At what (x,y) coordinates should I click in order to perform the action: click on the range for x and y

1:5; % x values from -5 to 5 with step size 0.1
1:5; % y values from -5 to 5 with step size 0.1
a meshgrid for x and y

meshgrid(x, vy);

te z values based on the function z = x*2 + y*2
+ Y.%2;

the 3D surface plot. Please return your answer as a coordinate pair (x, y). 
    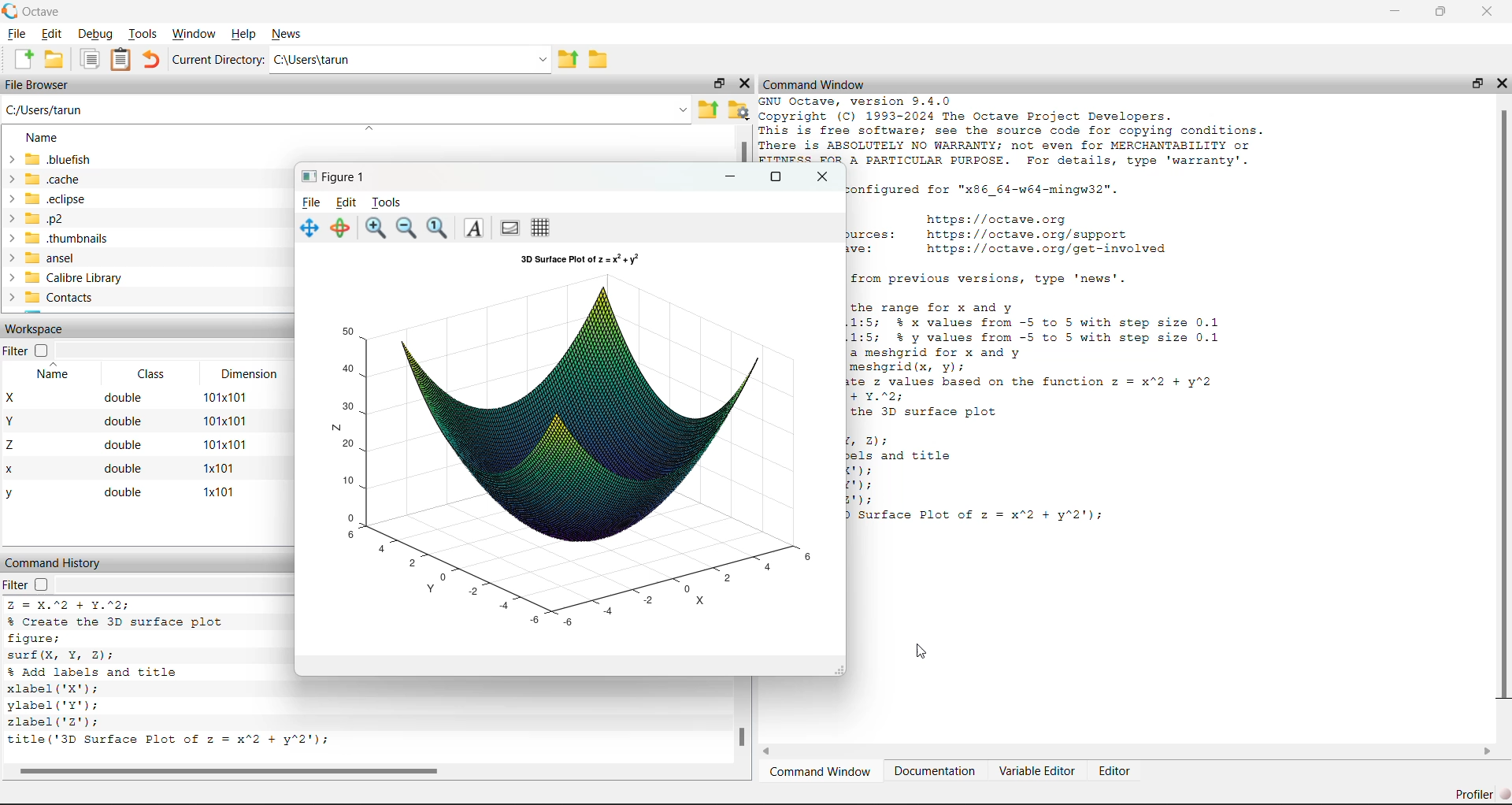
    Looking at the image, I should click on (1045, 343).